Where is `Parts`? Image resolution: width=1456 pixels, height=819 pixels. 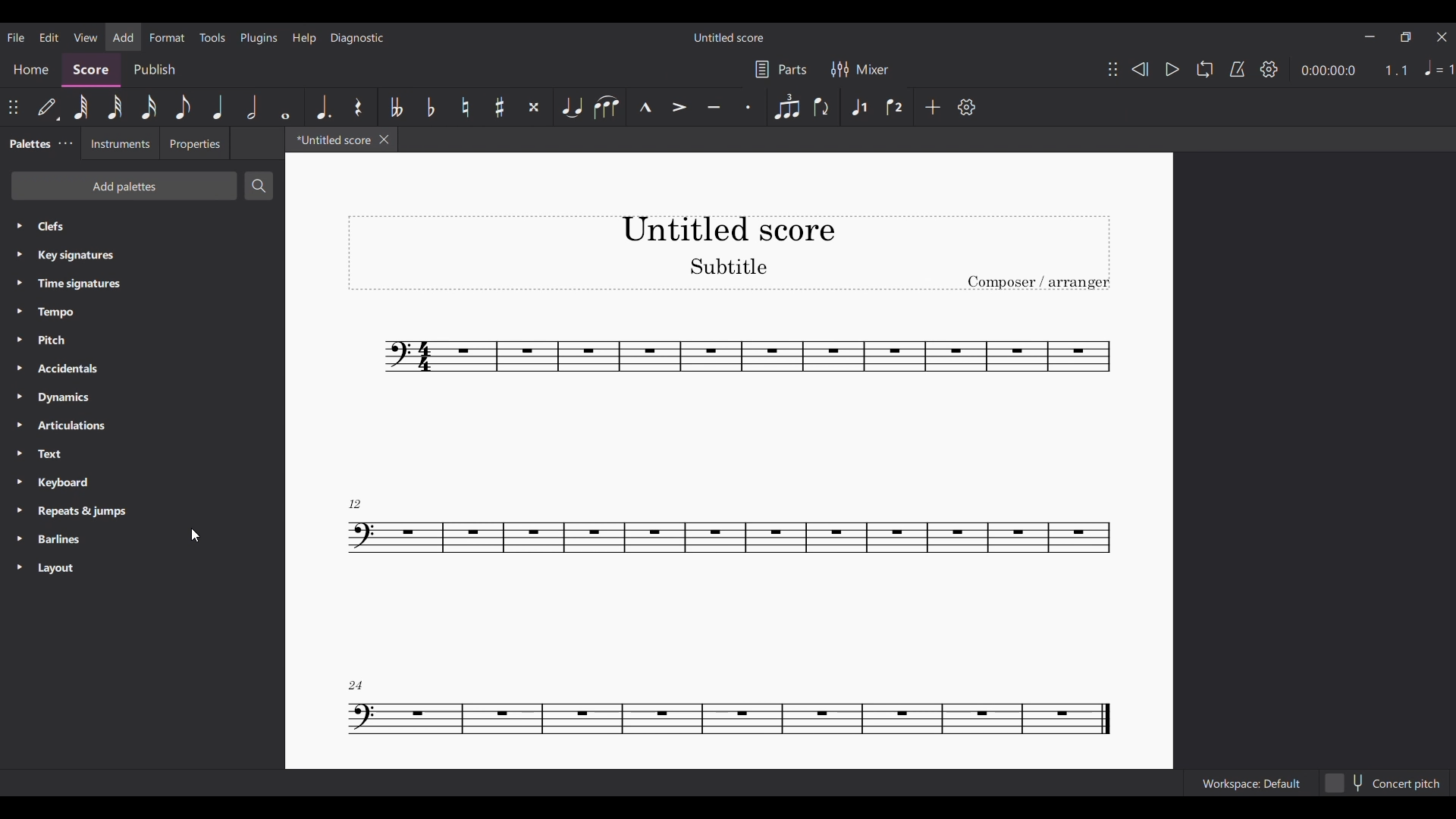
Parts is located at coordinates (779, 67).